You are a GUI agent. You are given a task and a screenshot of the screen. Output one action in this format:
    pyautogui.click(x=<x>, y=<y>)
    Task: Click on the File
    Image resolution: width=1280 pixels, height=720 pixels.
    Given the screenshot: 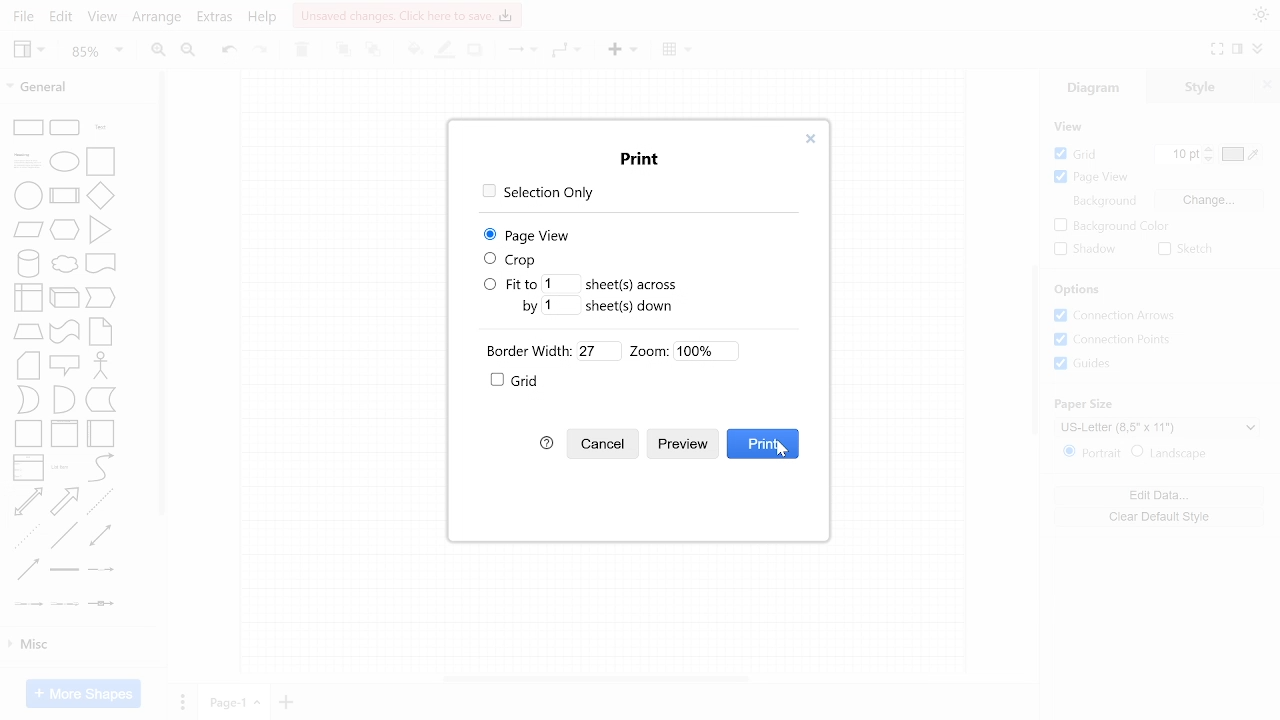 What is the action you would take?
    pyautogui.click(x=22, y=17)
    